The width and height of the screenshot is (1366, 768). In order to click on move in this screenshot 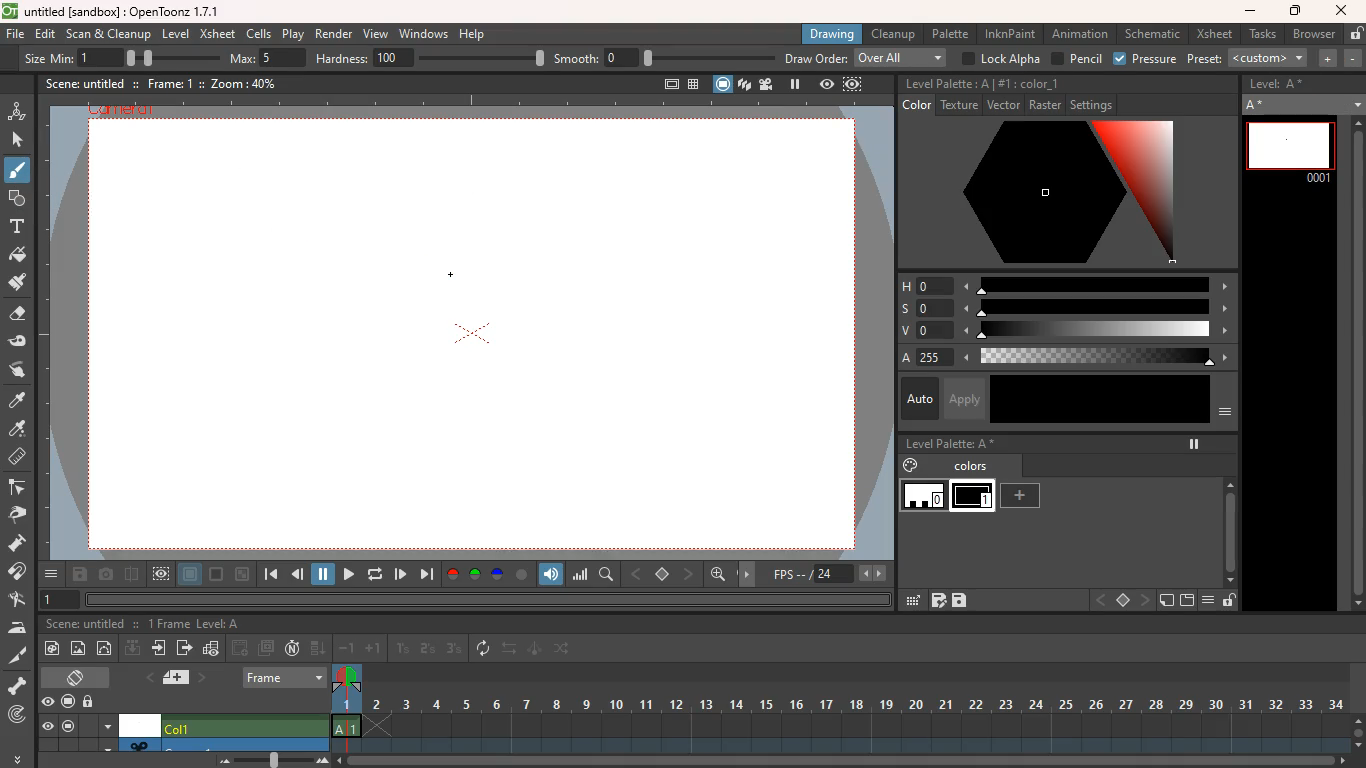, I will do `click(750, 573)`.